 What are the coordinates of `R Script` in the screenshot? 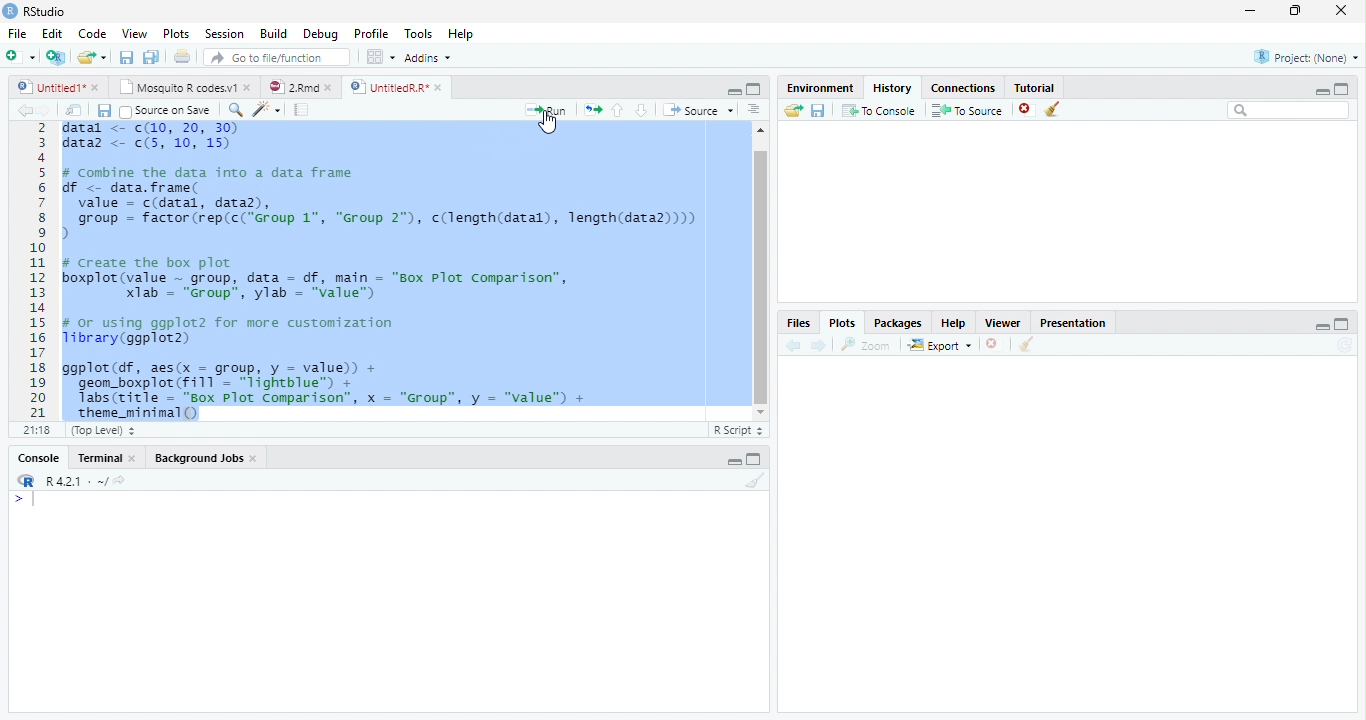 It's located at (738, 431).